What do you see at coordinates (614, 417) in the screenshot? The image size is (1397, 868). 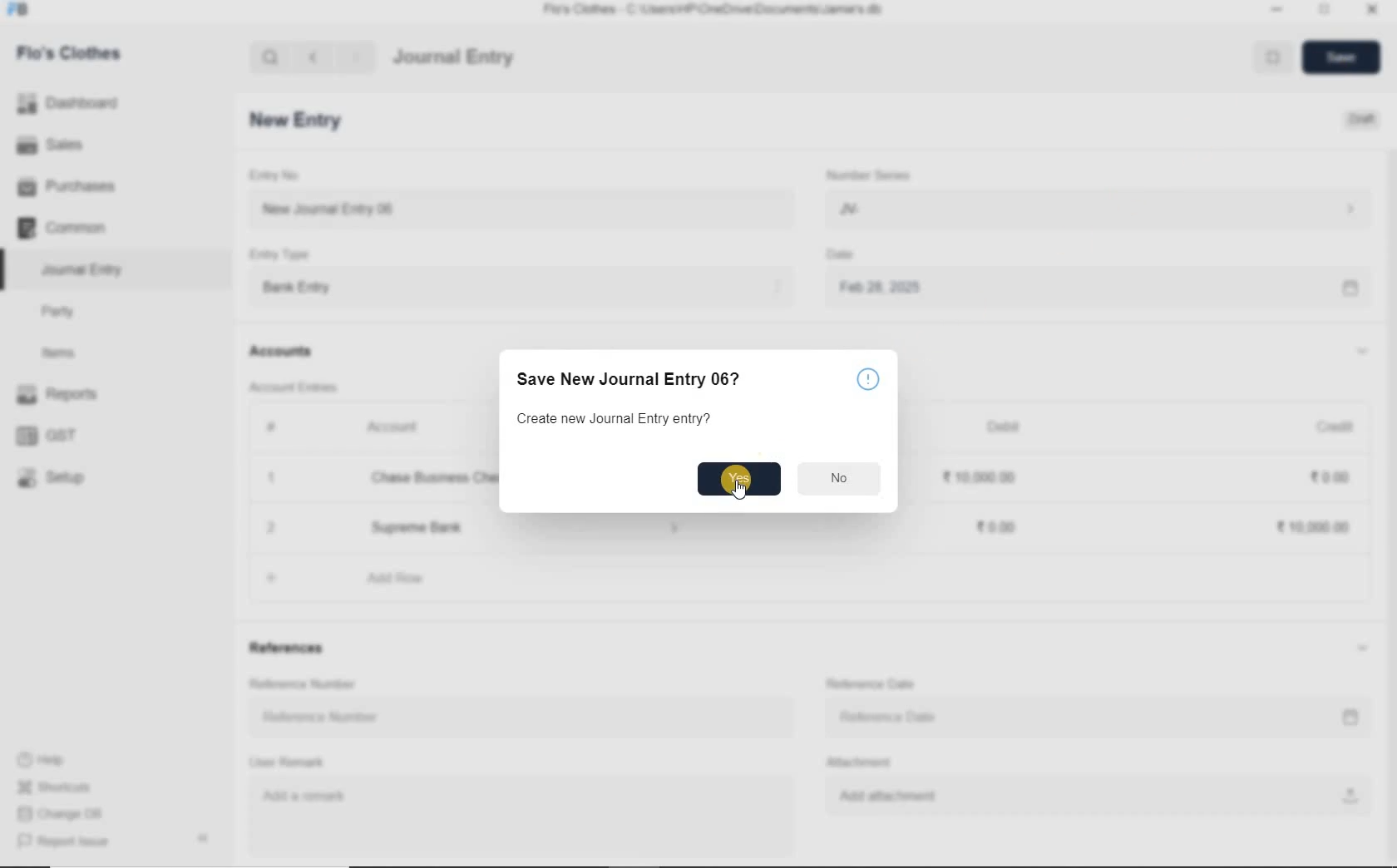 I see `Create new Journal Entry entry?` at bounding box center [614, 417].